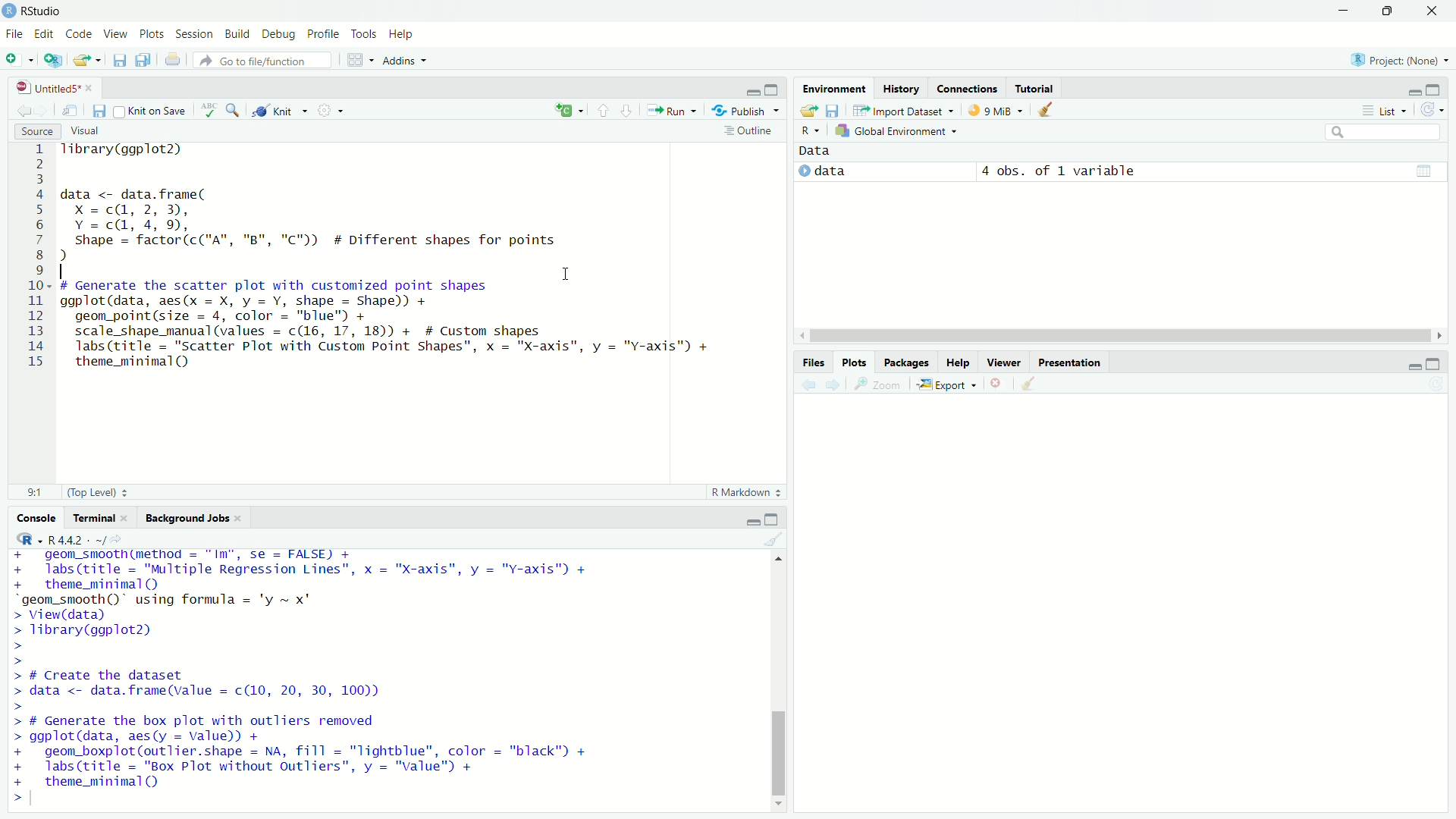 Image resolution: width=1456 pixels, height=819 pixels. What do you see at coordinates (1069, 362) in the screenshot?
I see `` at bounding box center [1069, 362].